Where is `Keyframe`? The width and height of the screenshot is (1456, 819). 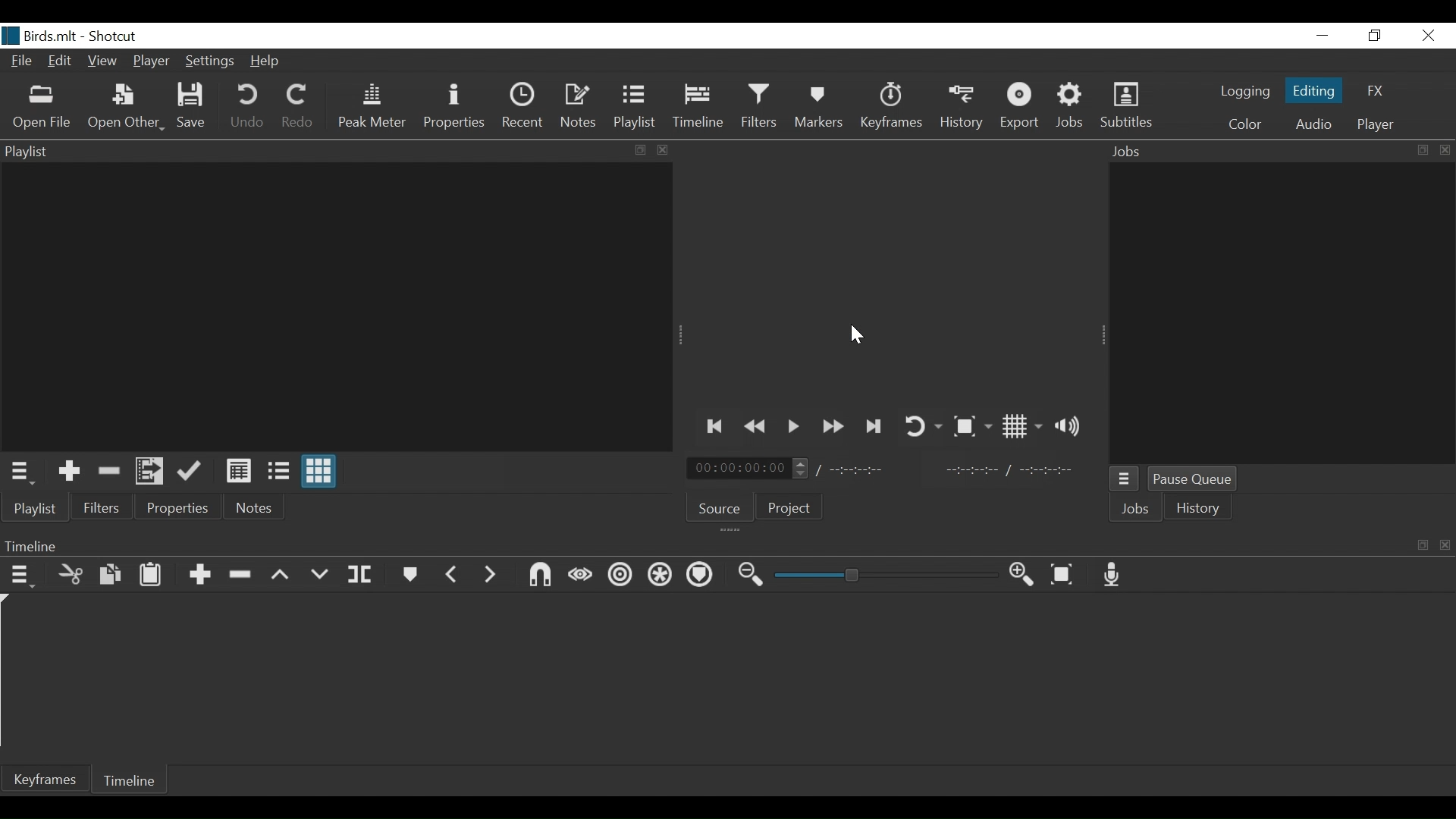 Keyframe is located at coordinates (893, 106).